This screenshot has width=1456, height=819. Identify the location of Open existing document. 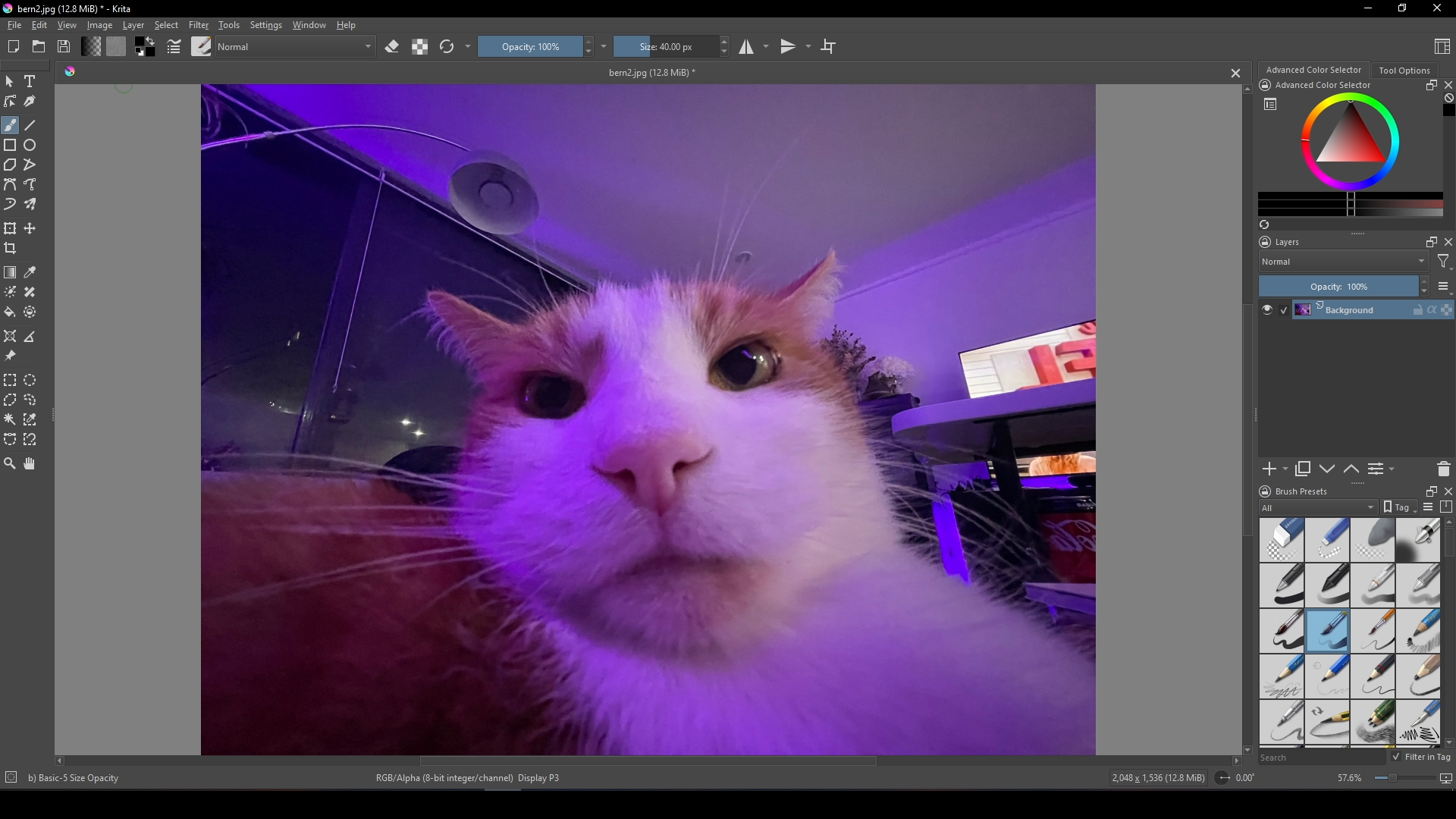
(39, 45).